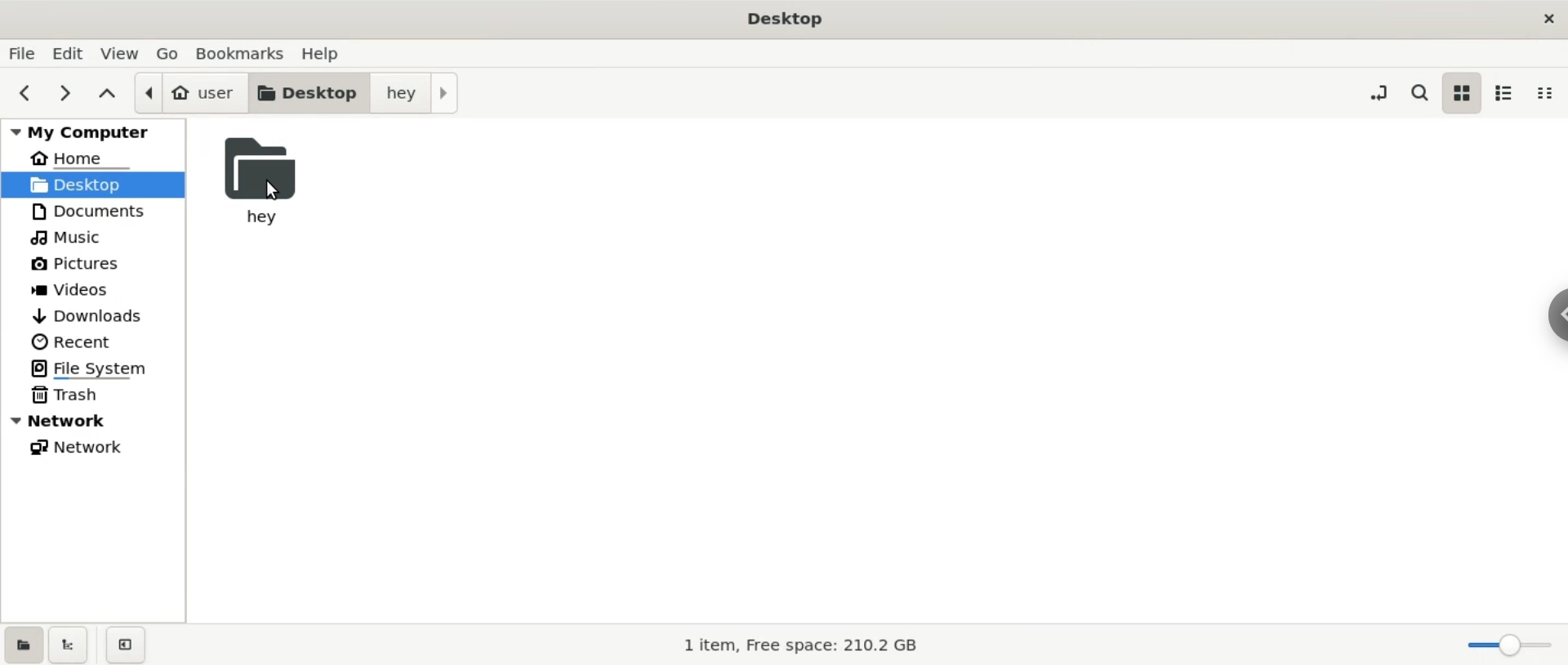 The height and width of the screenshot is (665, 1568). Describe the element at coordinates (93, 159) in the screenshot. I see `home` at that location.